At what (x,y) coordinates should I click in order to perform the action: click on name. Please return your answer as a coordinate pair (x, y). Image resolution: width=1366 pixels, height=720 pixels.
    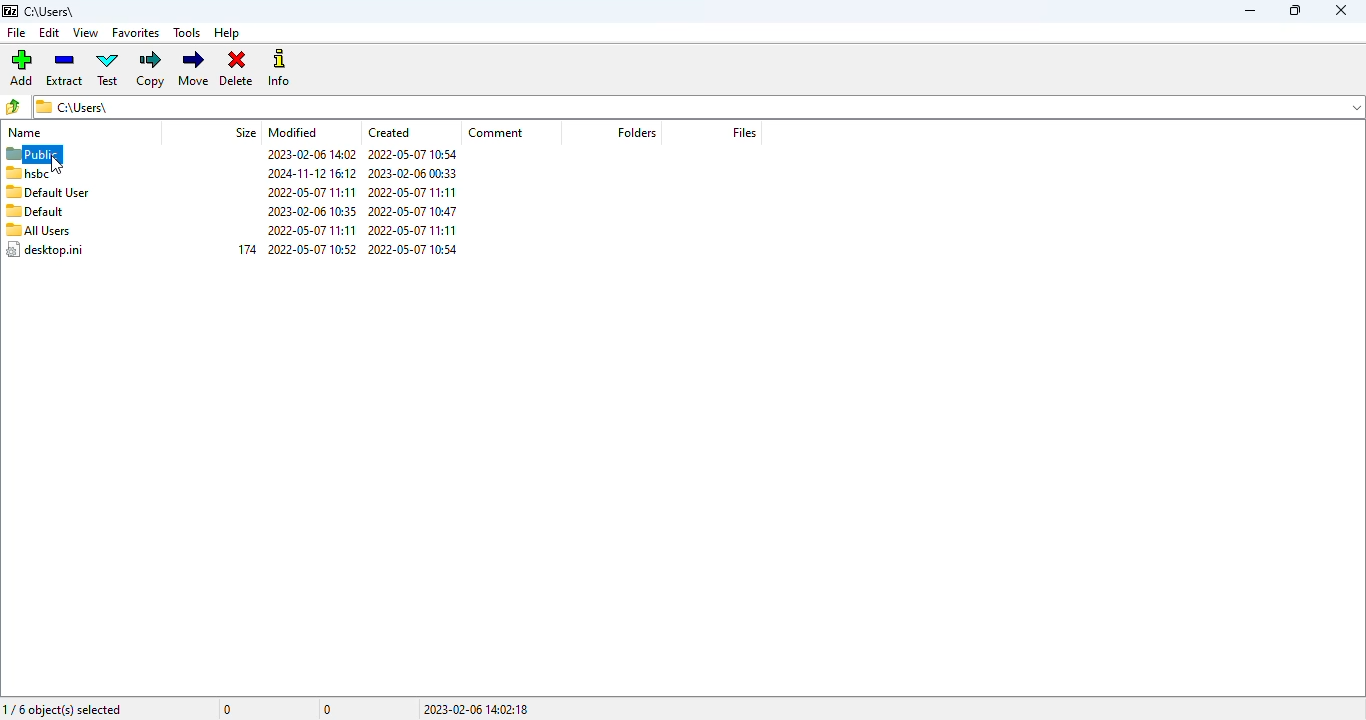
    Looking at the image, I should click on (24, 132).